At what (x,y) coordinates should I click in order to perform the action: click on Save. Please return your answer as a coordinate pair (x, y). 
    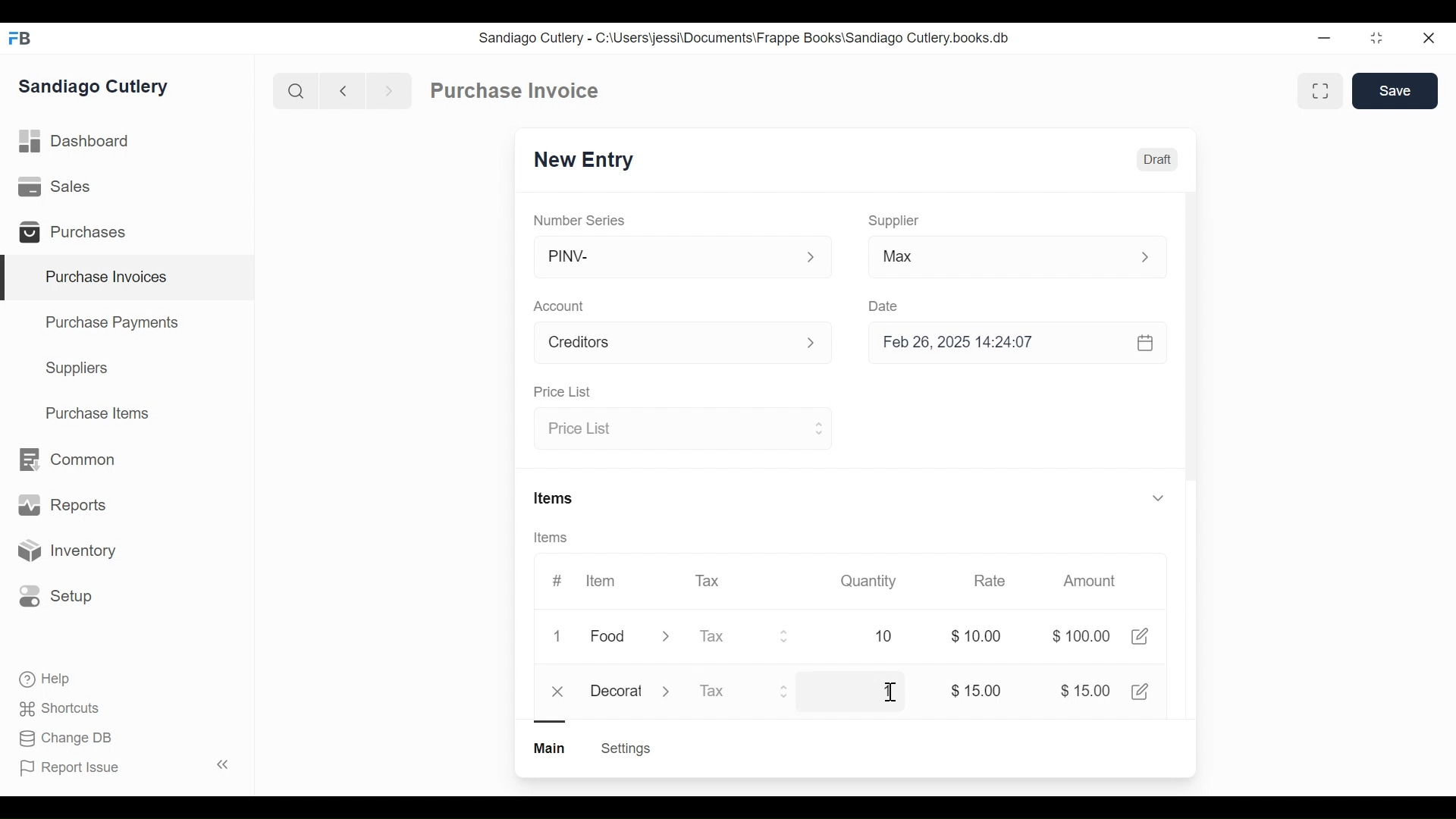
    Looking at the image, I should click on (1397, 91).